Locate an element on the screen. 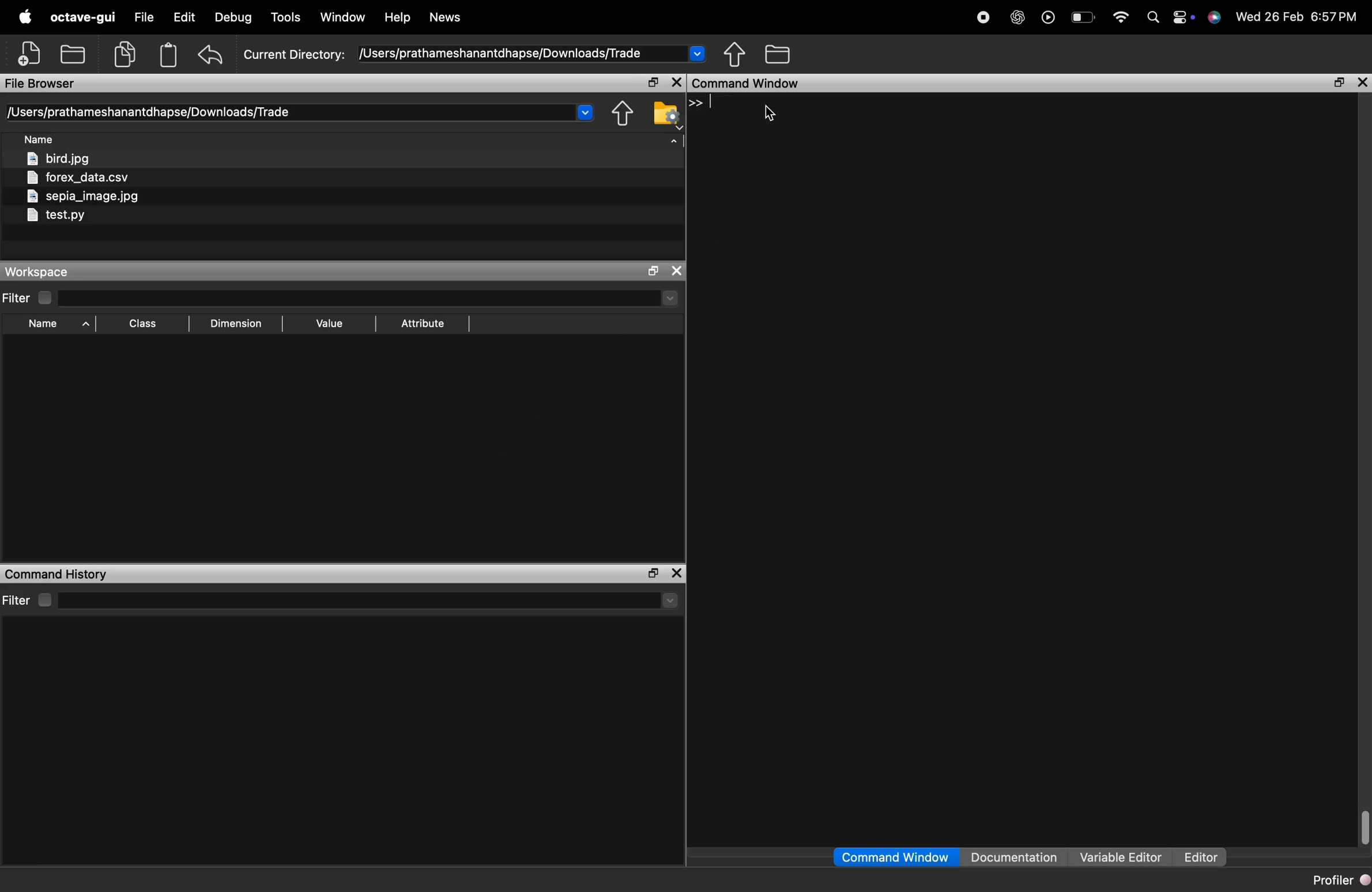 This screenshot has height=892, width=1372. workspace is located at coordinates (41, 272).